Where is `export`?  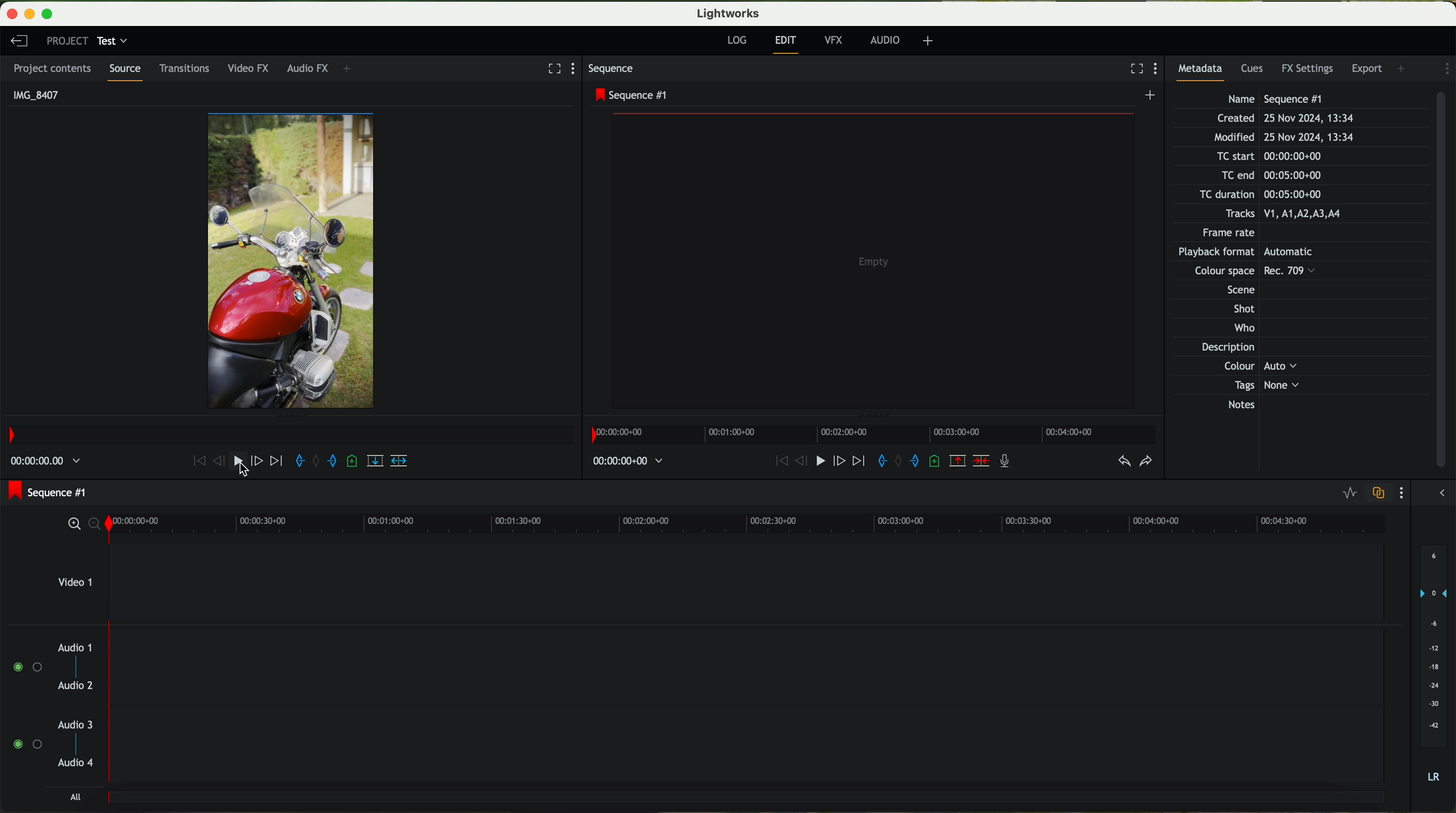 export is located at coordinates (1368, 67).